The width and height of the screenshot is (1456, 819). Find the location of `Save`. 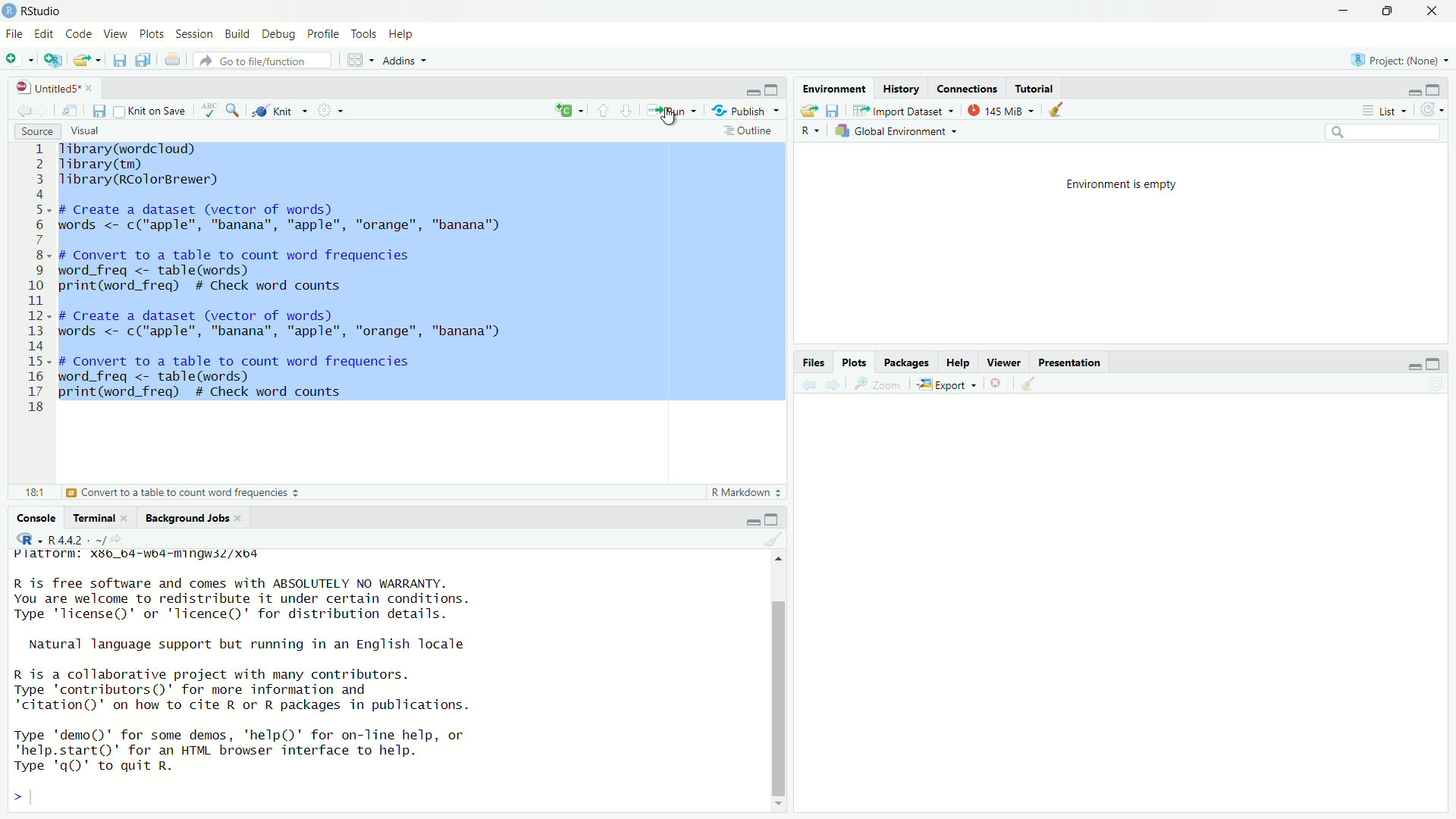

Save is located at coordinates (97, 111).